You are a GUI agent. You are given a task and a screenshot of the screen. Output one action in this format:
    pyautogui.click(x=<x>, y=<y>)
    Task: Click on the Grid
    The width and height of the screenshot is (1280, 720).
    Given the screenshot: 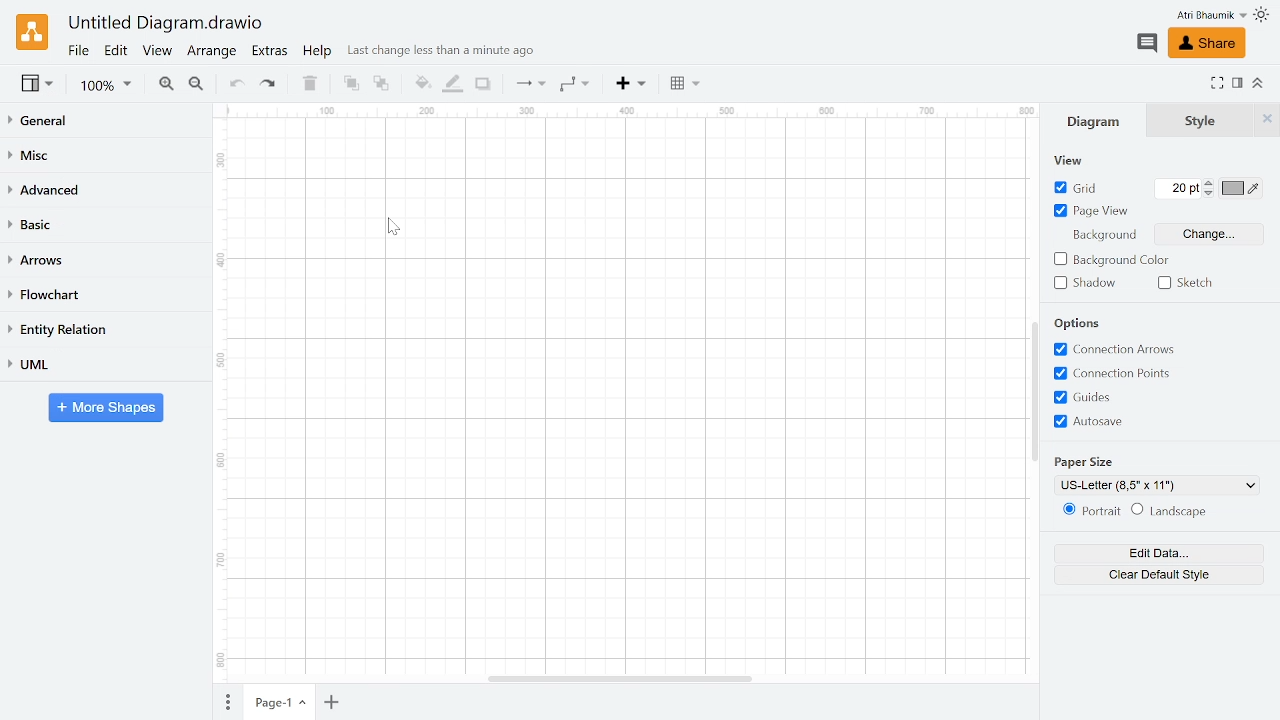 What is the action you would take?
    pyautogui.click(x=1078, y=188)
    